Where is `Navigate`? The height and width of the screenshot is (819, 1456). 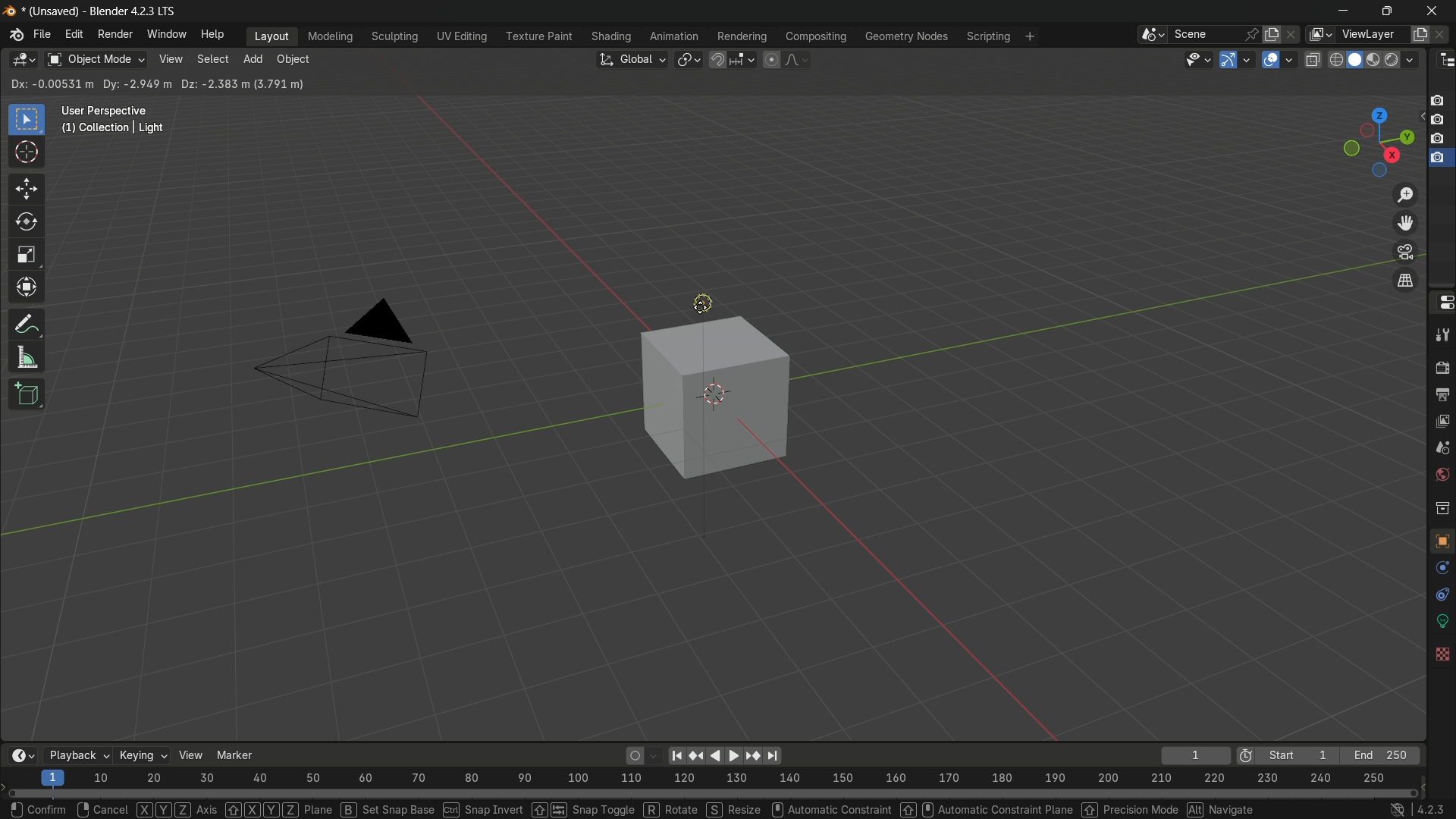
Navigate is located at coordinates (1222, 809).